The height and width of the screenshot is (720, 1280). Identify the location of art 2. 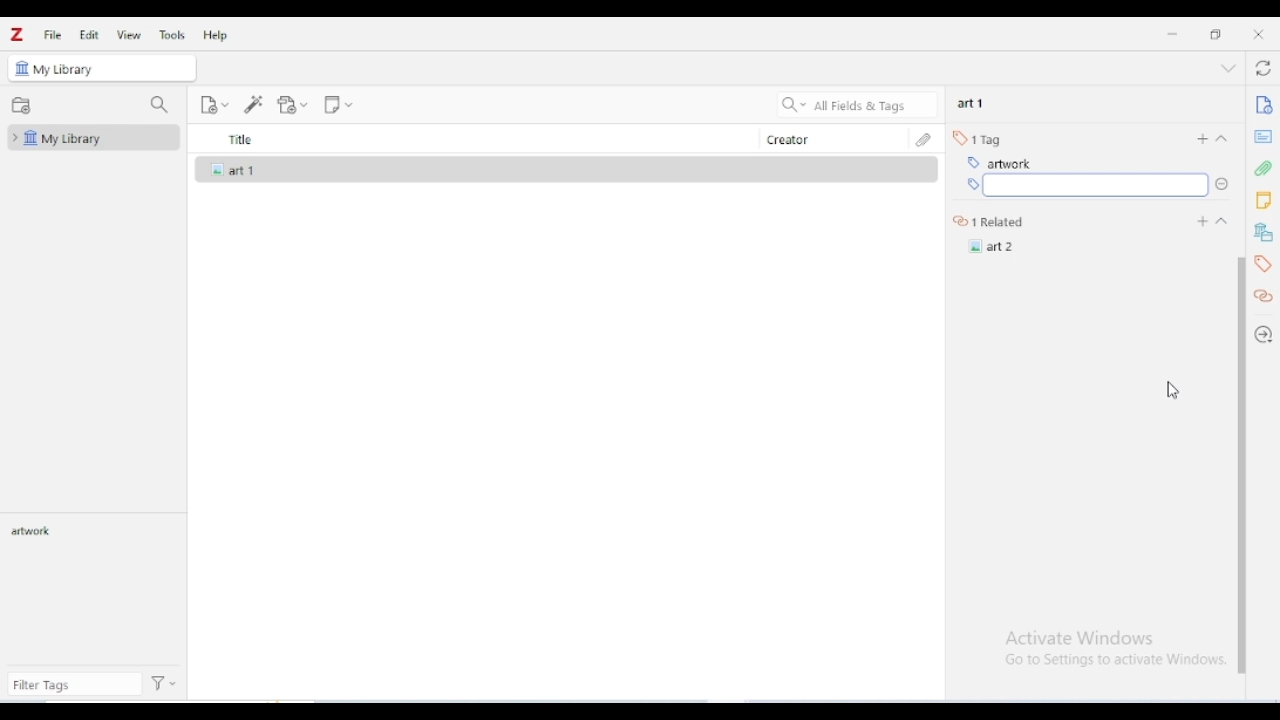
(1002, 165).